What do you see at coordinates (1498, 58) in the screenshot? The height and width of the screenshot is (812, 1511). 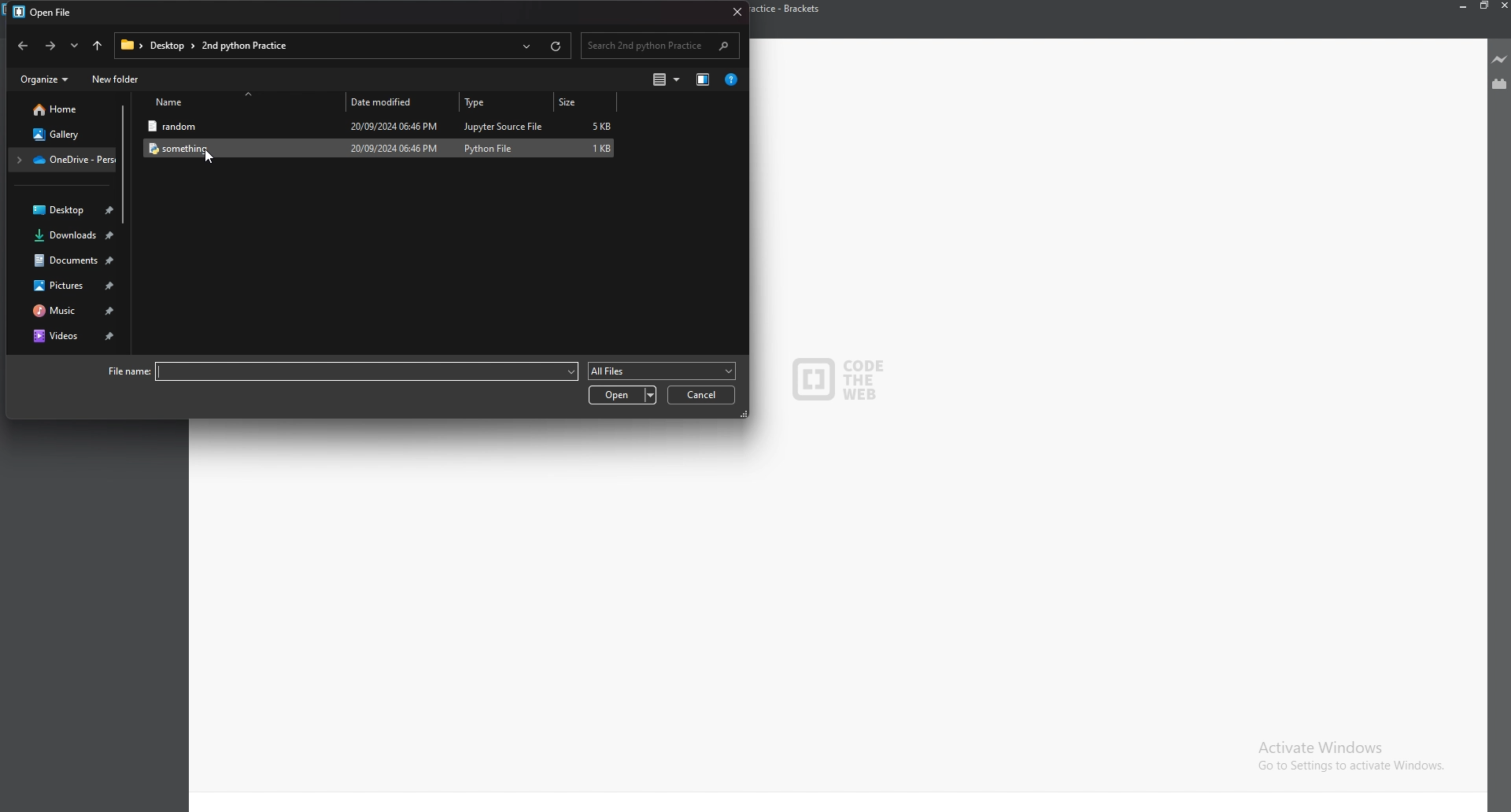 I see `live preview` at bounding box center [1498, 58].